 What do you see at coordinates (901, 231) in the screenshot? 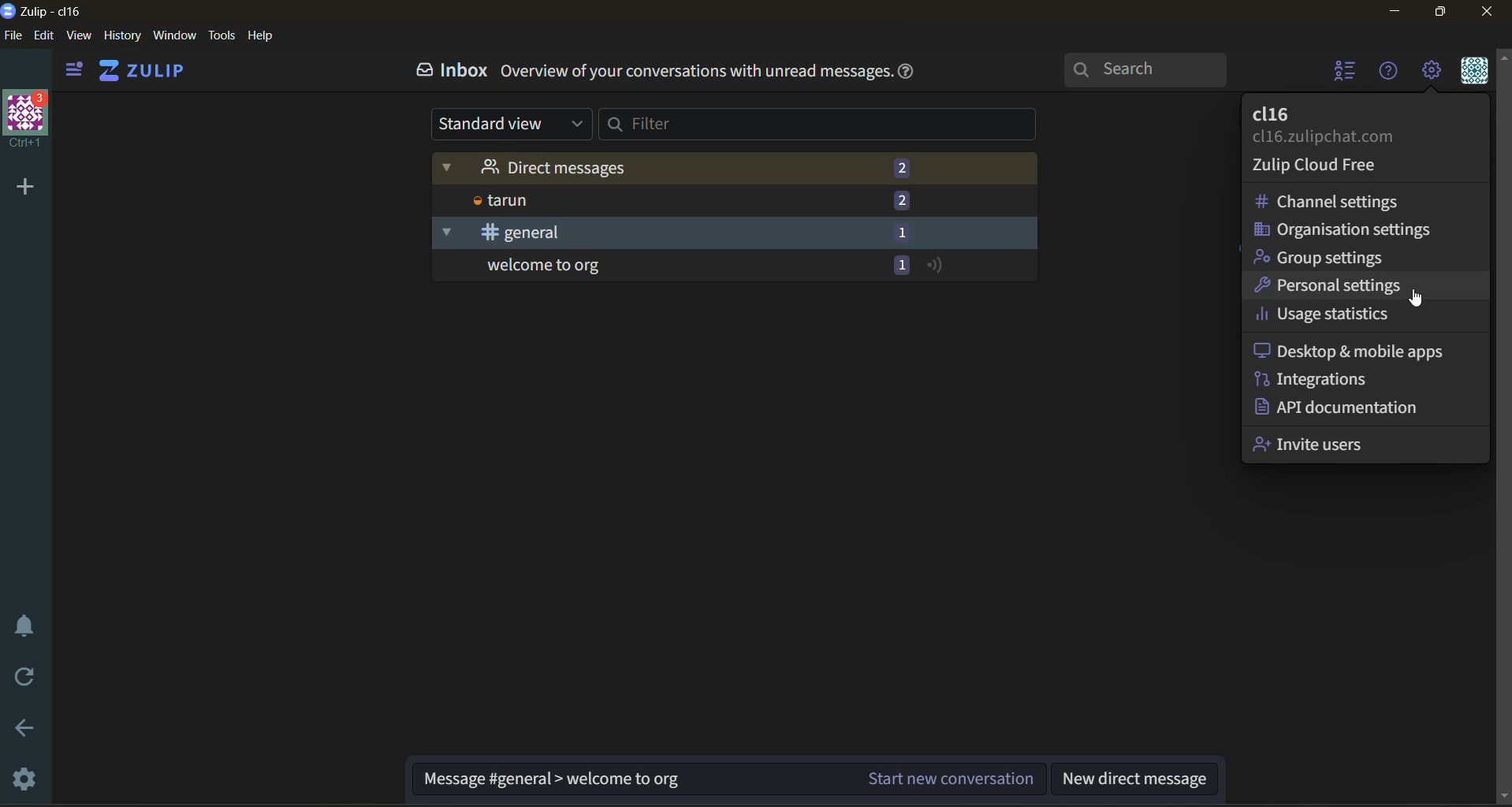
I see `1 message` at bounding box center [901, 231].